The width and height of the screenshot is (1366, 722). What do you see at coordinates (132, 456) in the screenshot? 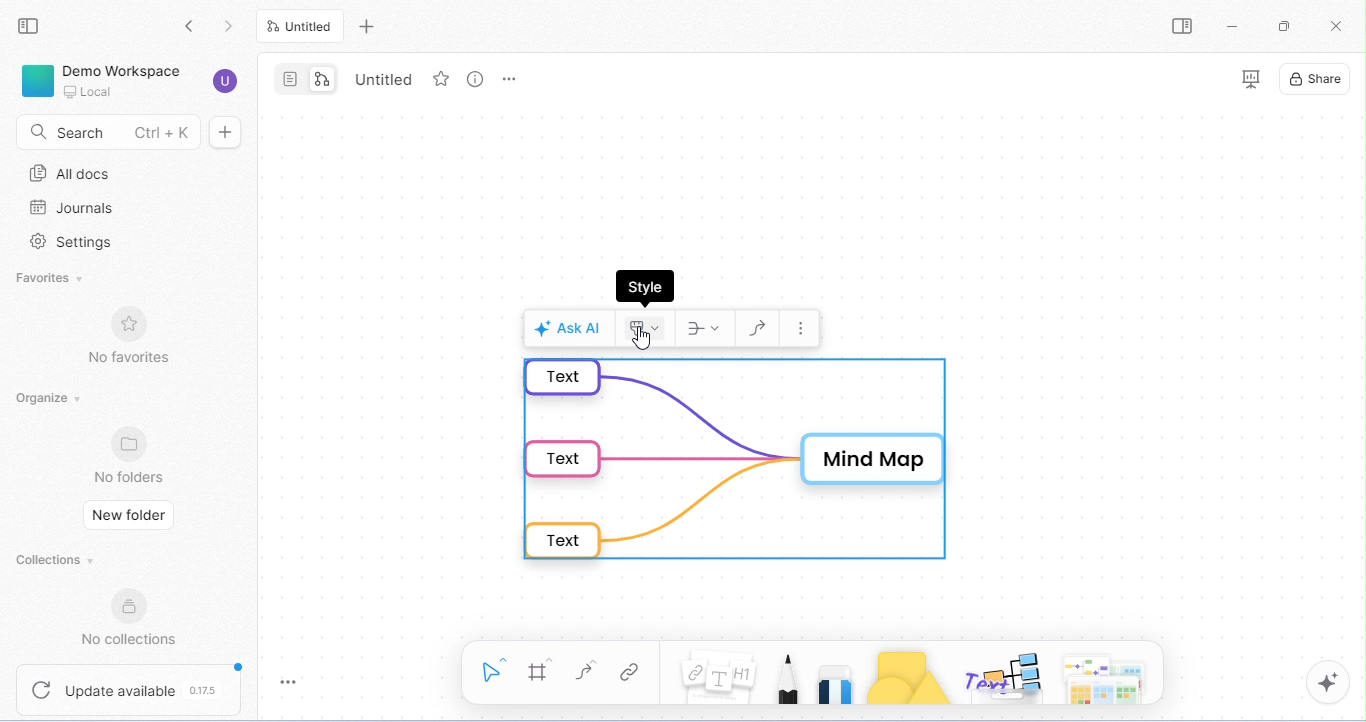
I see `no folders` at bounding box center [132, 456].